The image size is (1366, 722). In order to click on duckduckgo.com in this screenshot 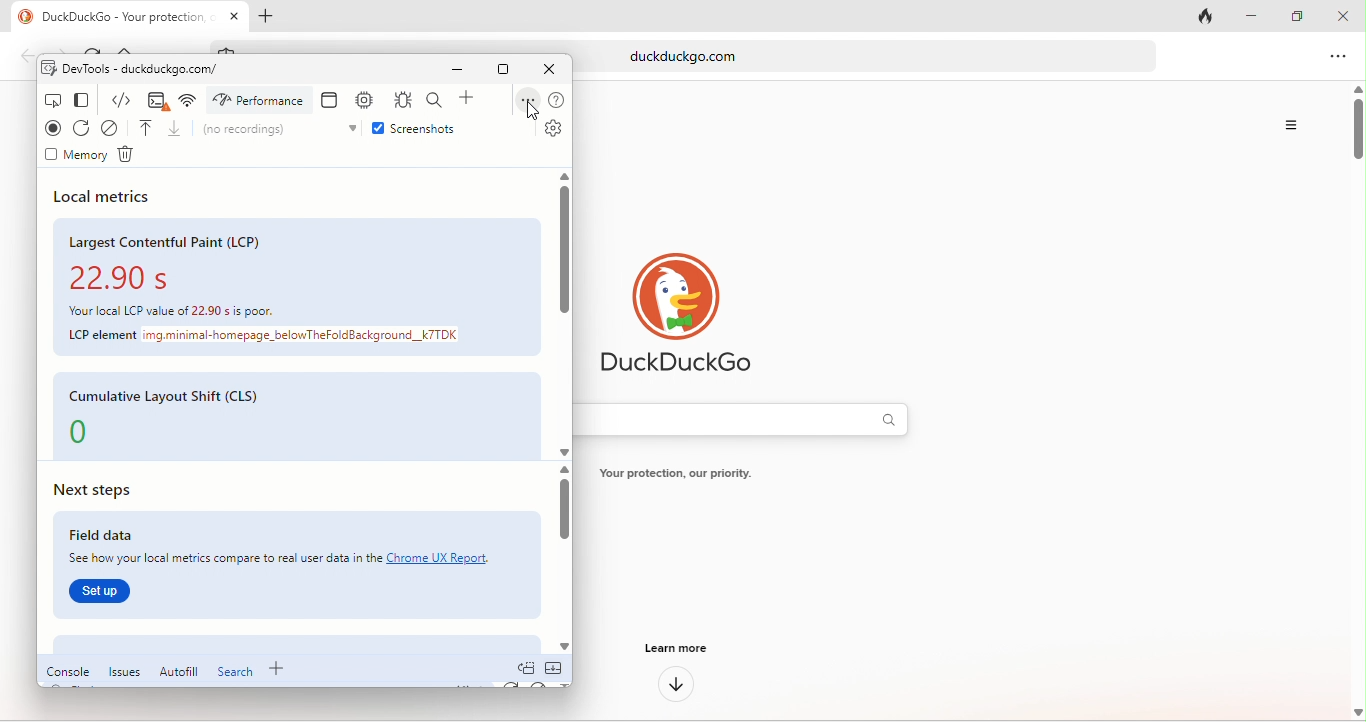, I will do `click(910, 52)`.